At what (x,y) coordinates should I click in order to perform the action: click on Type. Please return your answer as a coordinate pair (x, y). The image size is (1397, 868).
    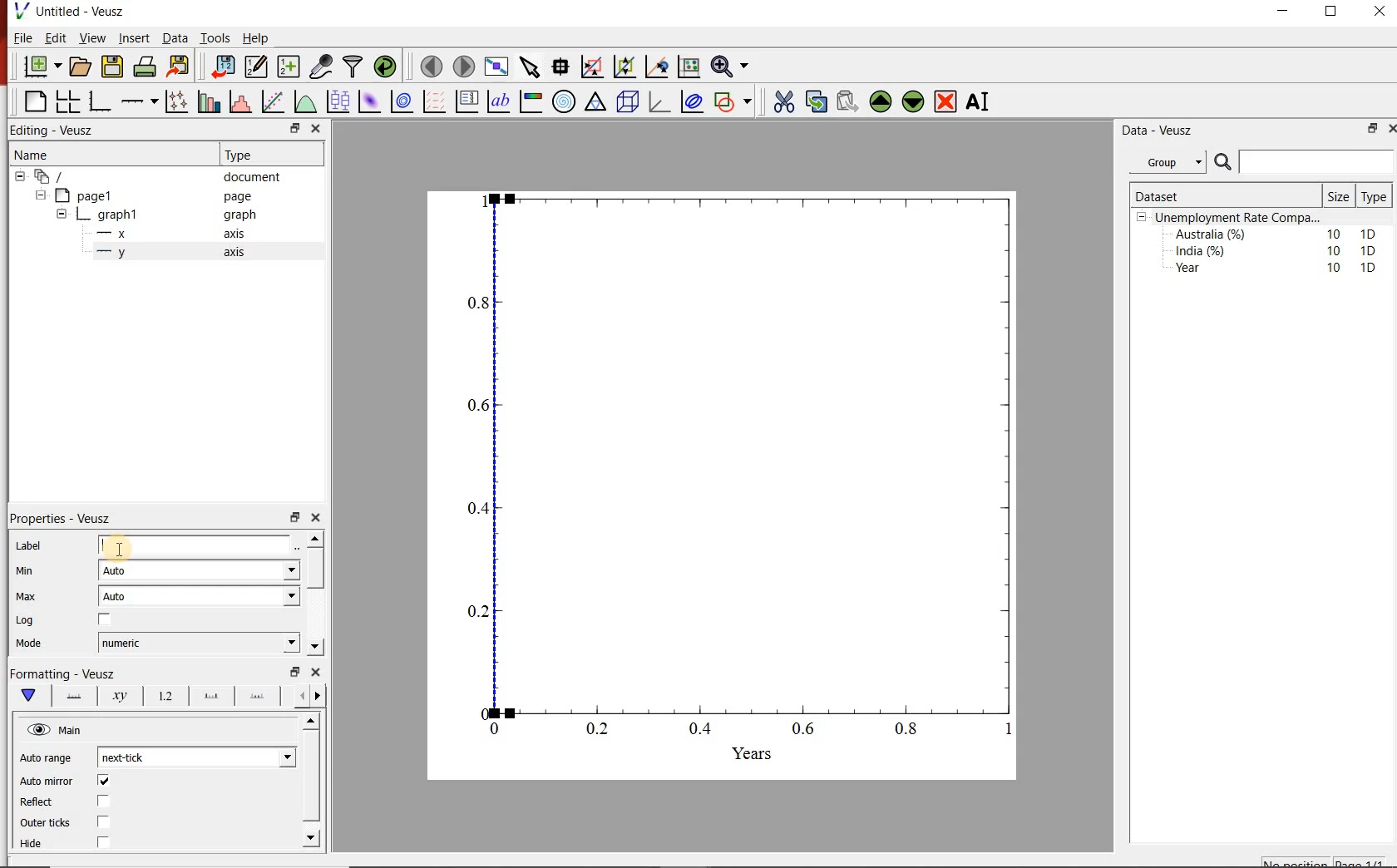
    Looking at the image, I should click on (260, 155).